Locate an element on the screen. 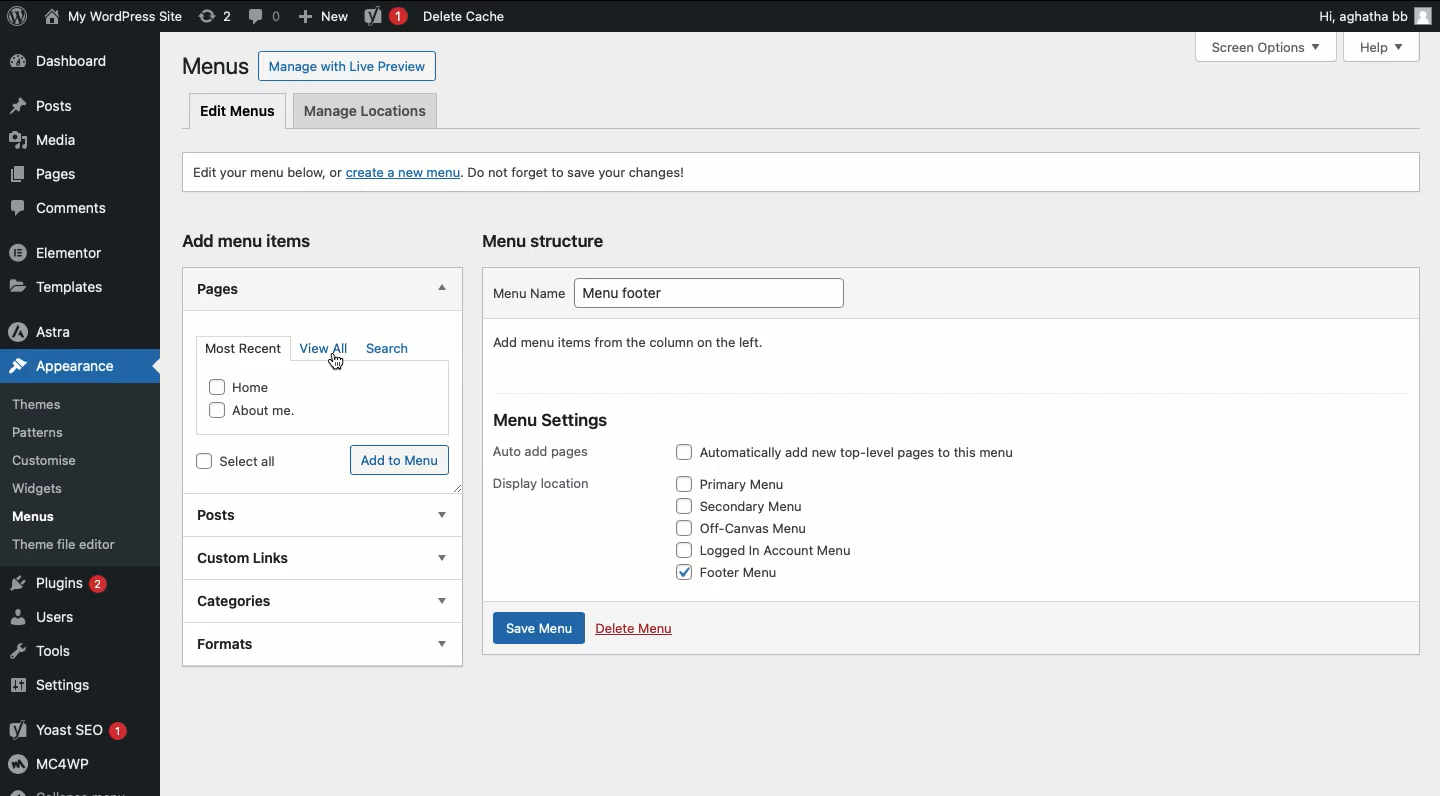  User is located at coordinates (114, 18).